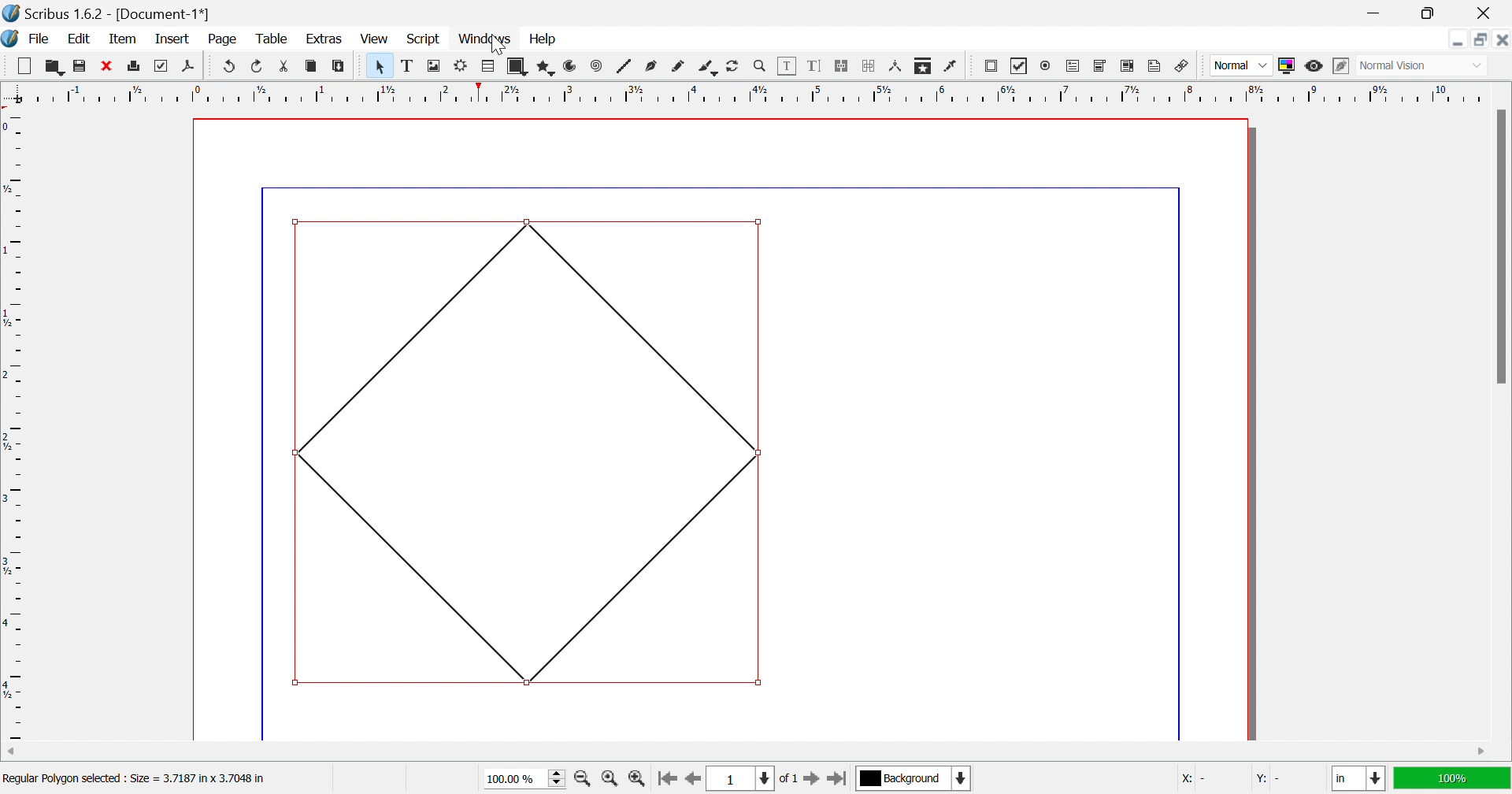  I want to click on Close, so click(1502, 39).